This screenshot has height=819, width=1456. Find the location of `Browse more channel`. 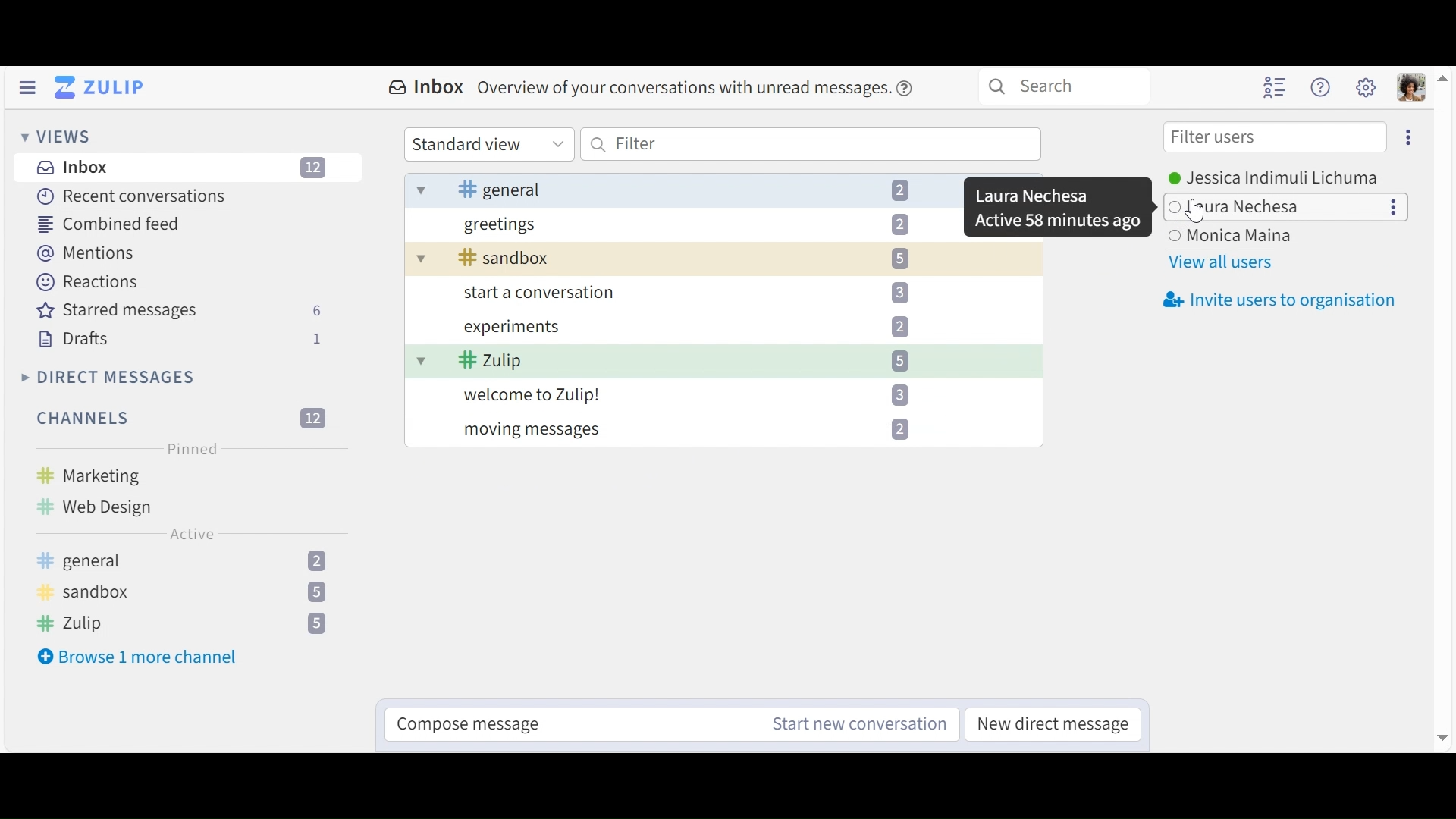

Browse more channel is located at coordinates (137, 657).